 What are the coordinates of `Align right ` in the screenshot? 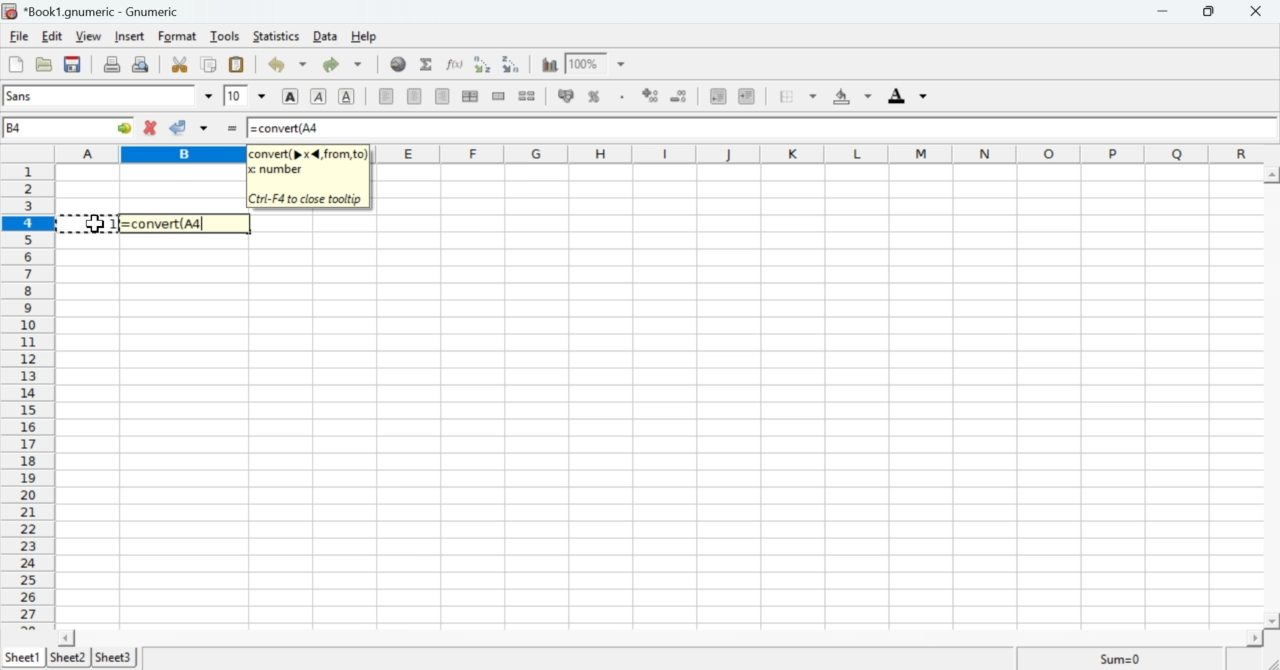 It's located at (442, 97).